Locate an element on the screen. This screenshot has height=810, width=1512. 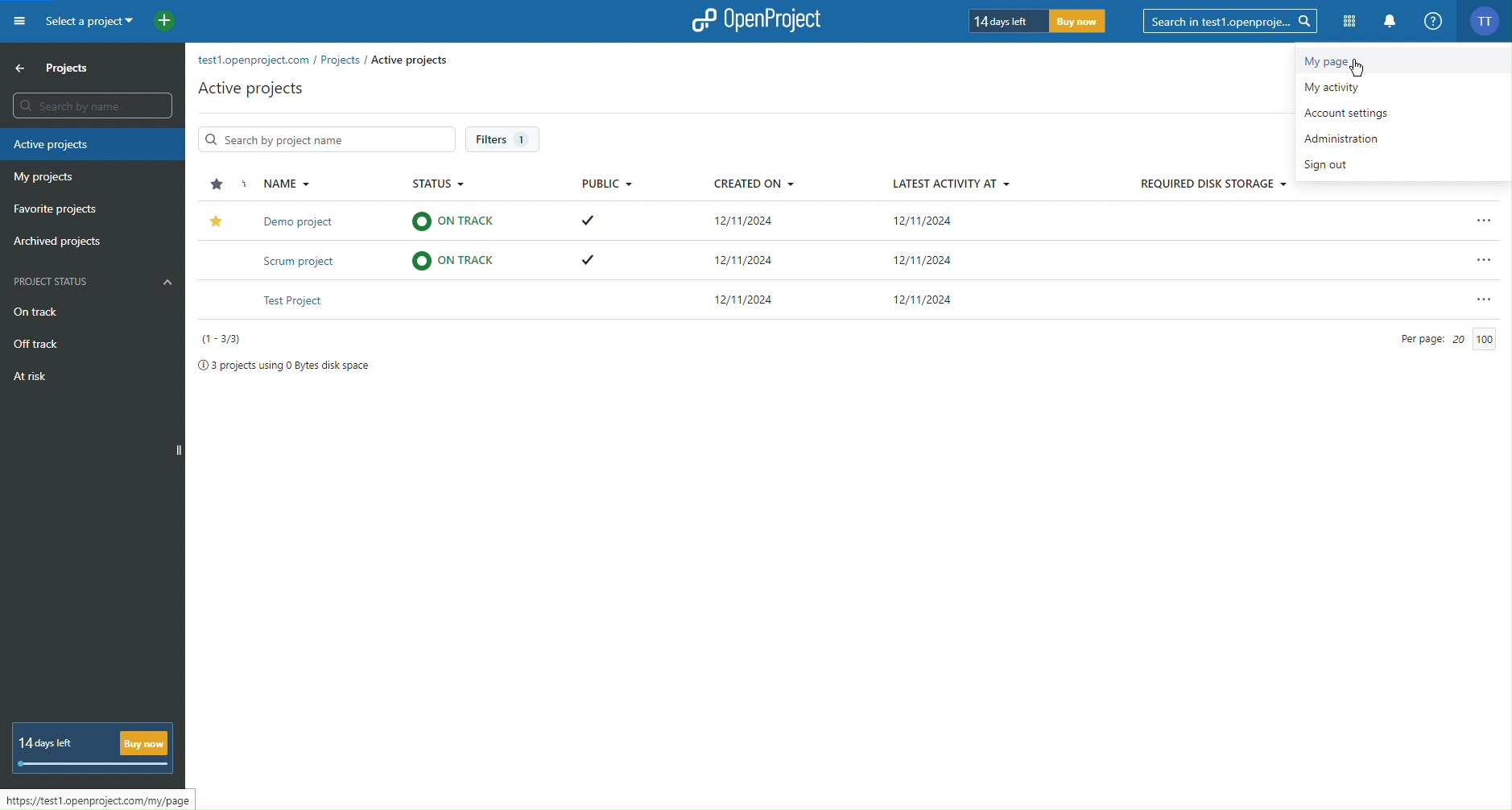
Notifications is located at coordinates (1390, 22).